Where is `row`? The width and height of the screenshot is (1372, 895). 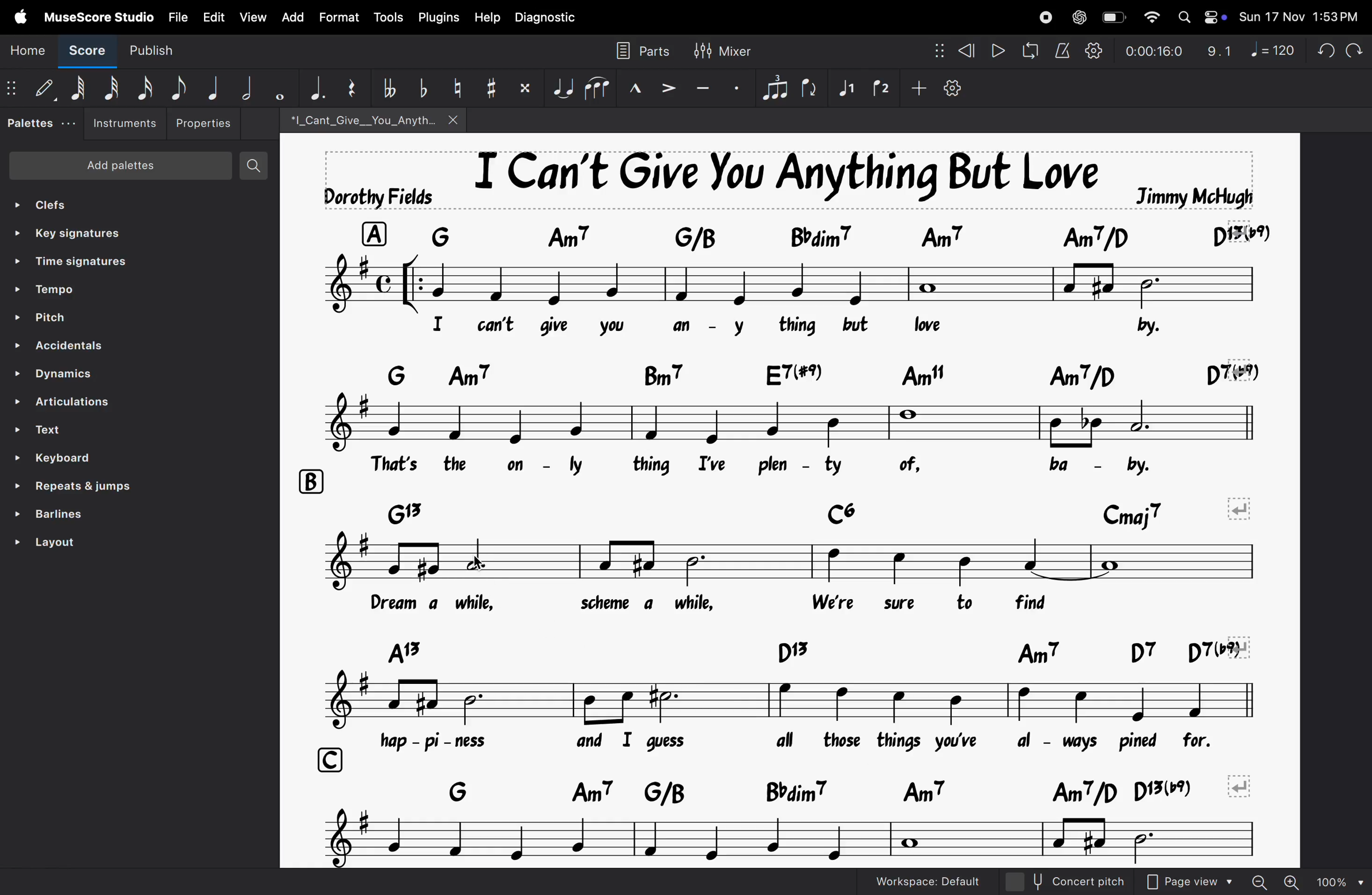
row is located at coordinates (331, 758).